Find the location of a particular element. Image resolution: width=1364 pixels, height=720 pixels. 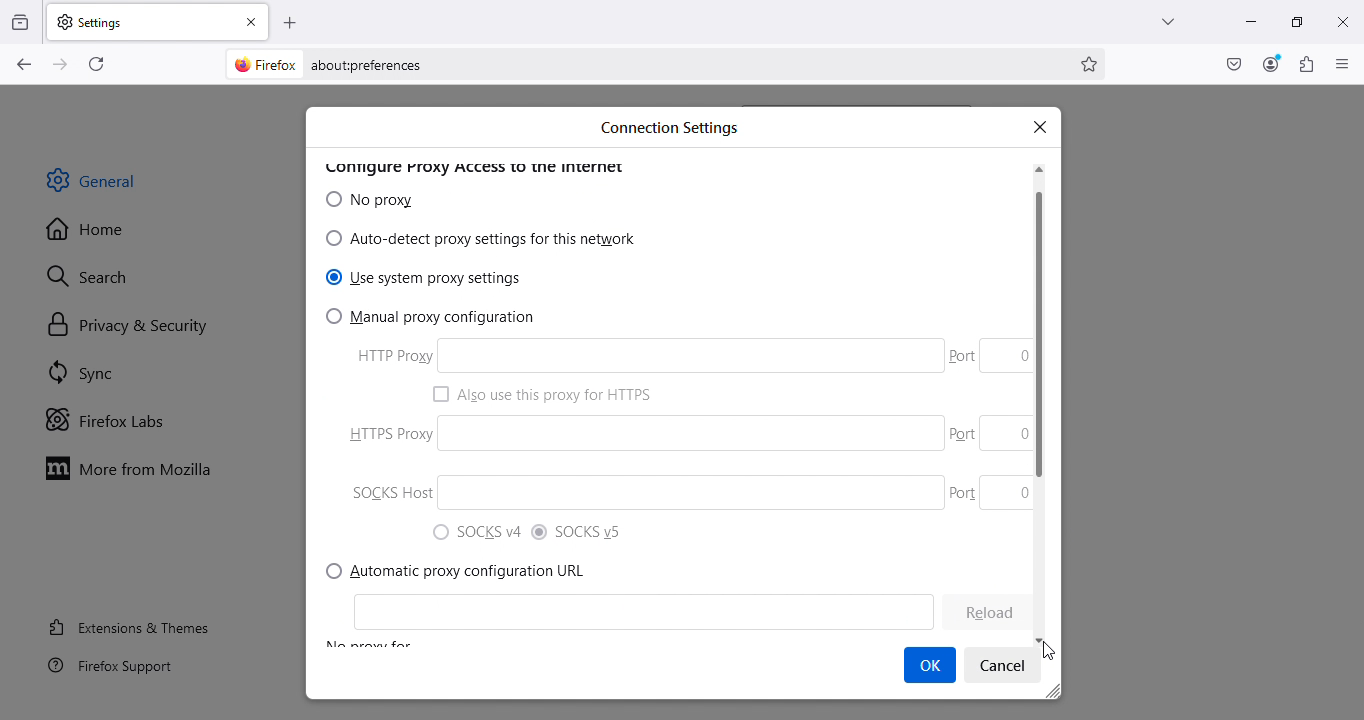

Network settings is located at coordinates (455, 571).